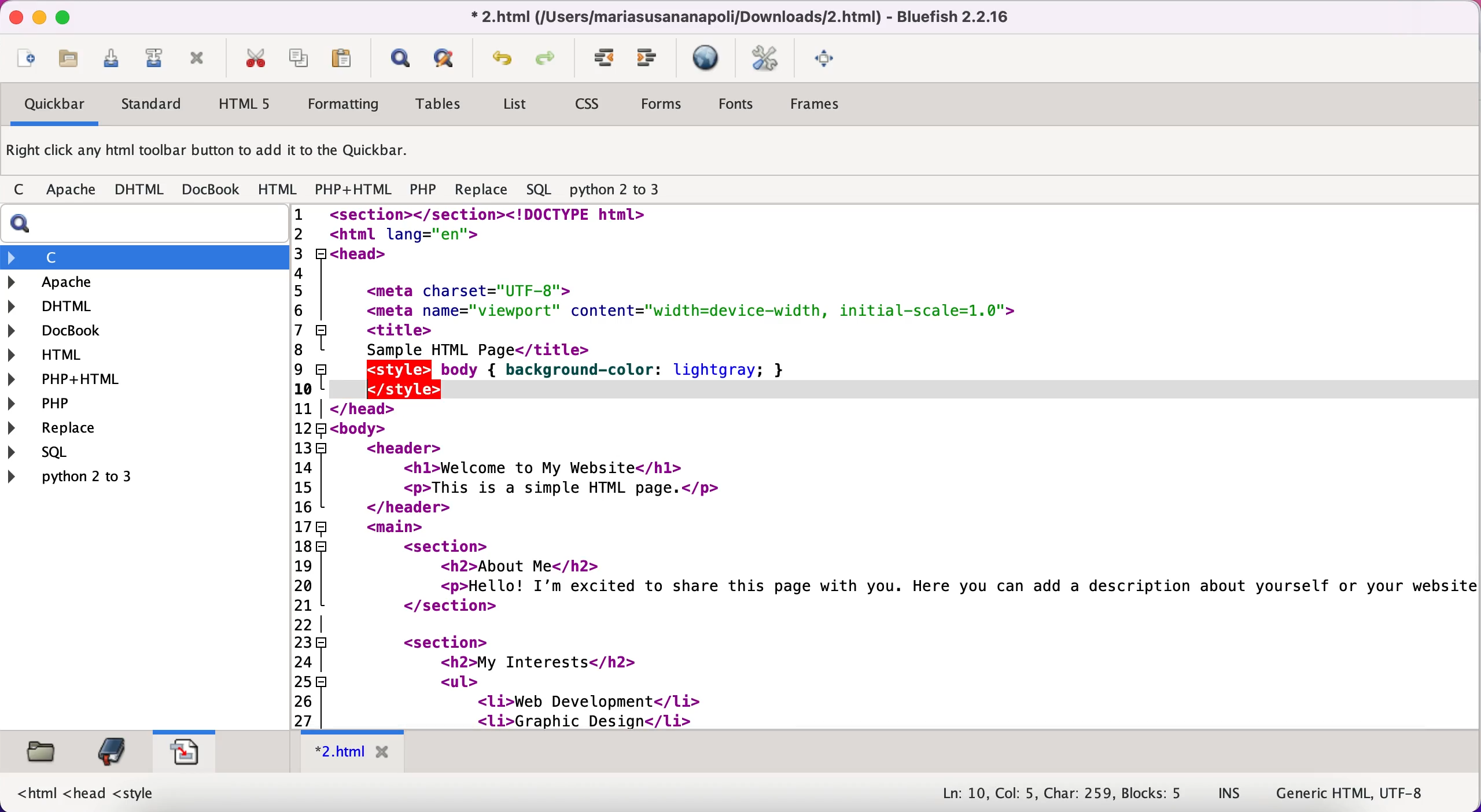  Describe the element at coordinates (73, 380) in the screenshot. I see `php+html` at that location.